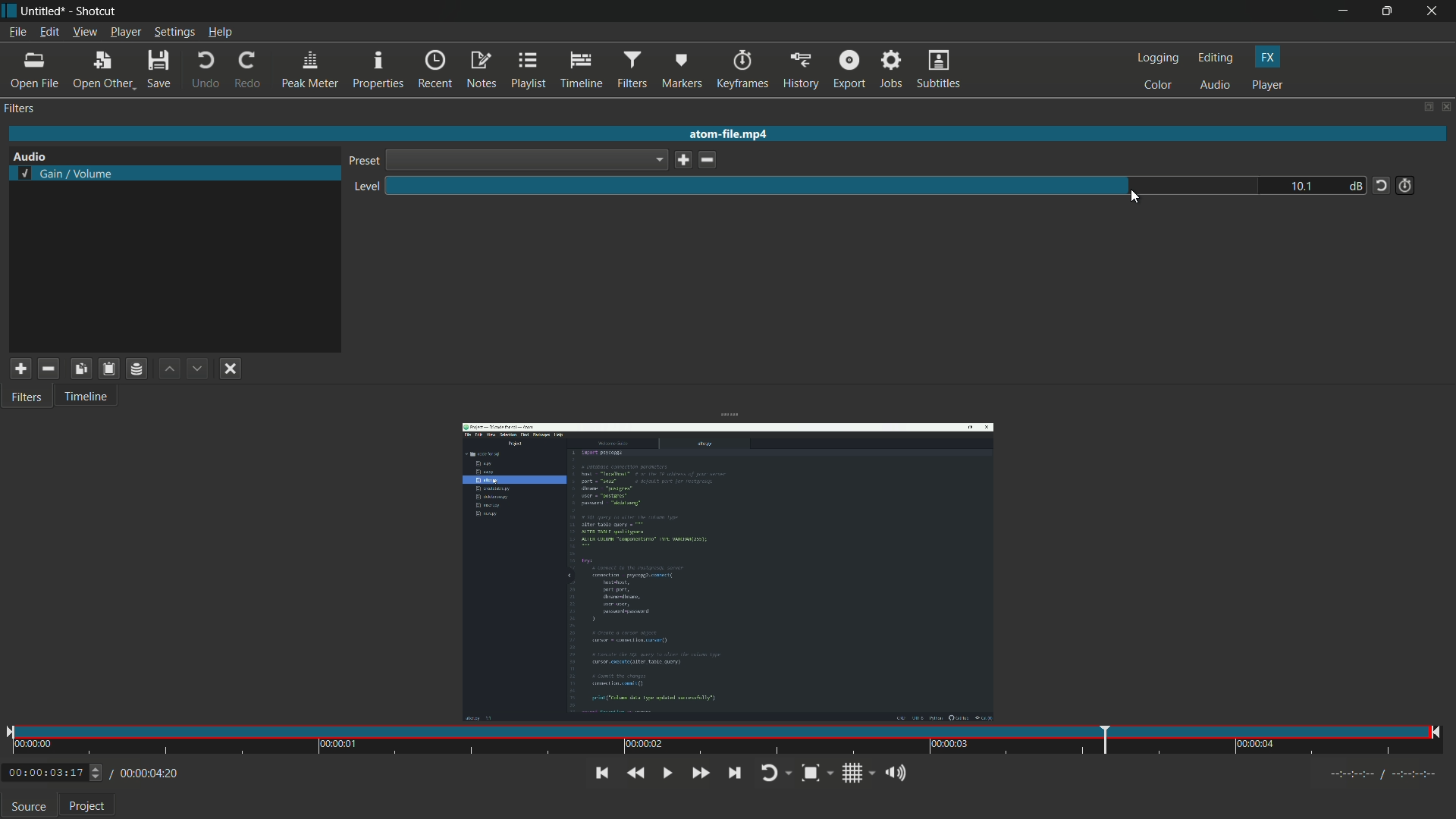 This screenshot has width=1456, height=819. Describe the element at coordinates (36, 71) in the screenshot. I see `open file` at that location.